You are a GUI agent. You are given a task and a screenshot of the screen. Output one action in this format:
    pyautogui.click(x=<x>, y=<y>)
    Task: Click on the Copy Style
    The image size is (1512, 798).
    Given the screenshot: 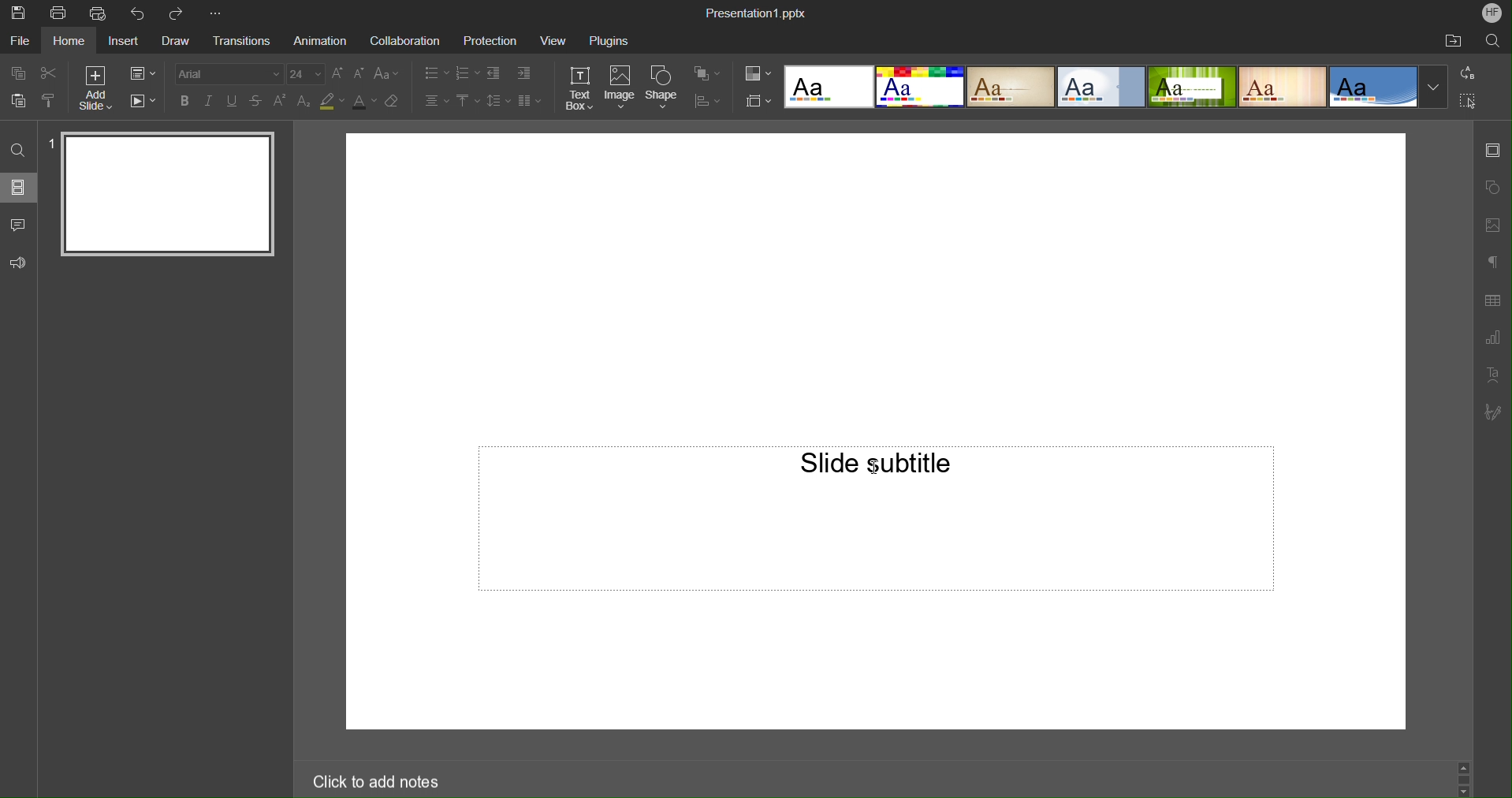 What is the action you would take?
    pyautogui.click(x=48, y=101)
    